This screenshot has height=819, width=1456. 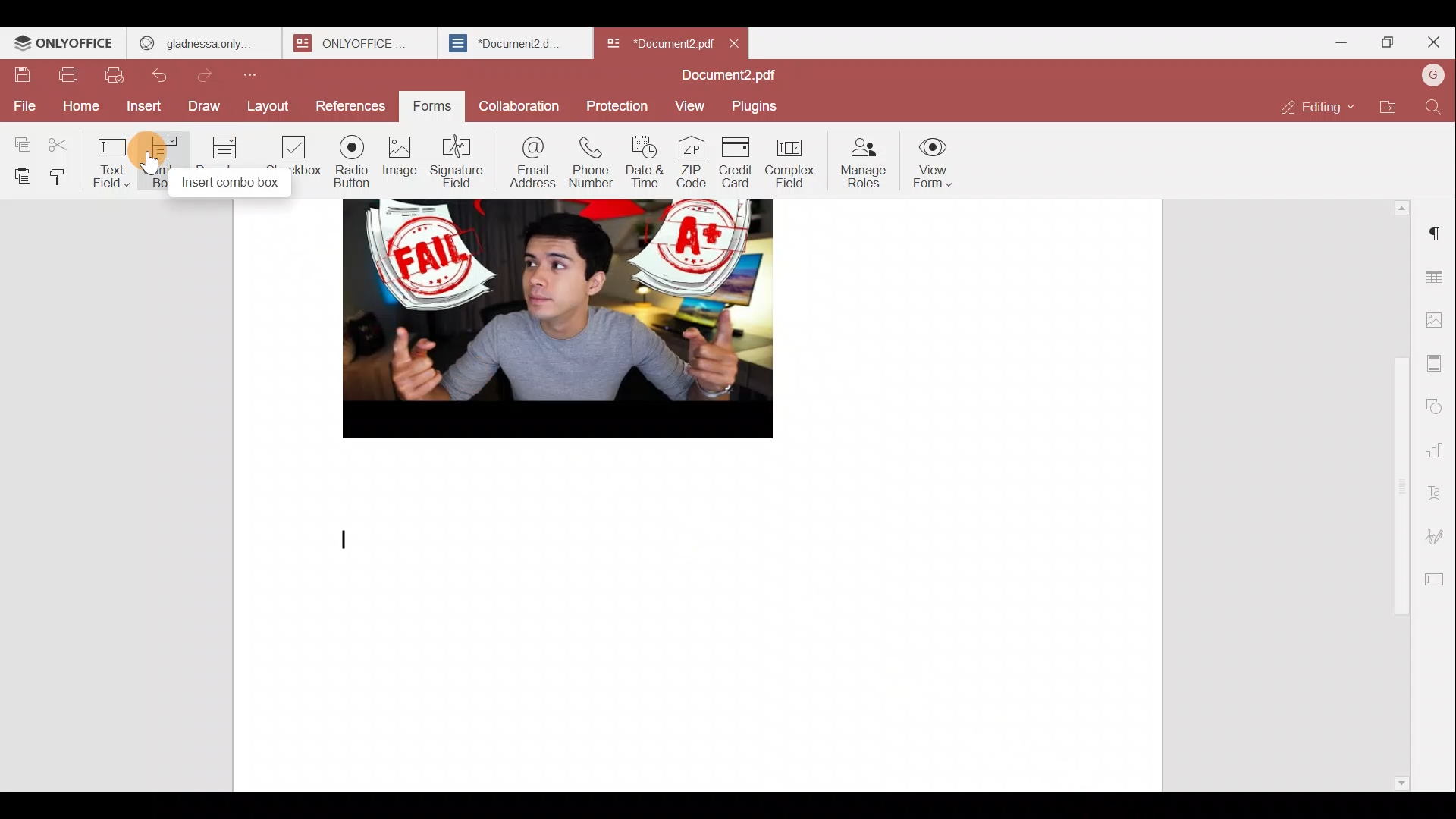 I want to click on Image settings, so click(x=1437, y=321).